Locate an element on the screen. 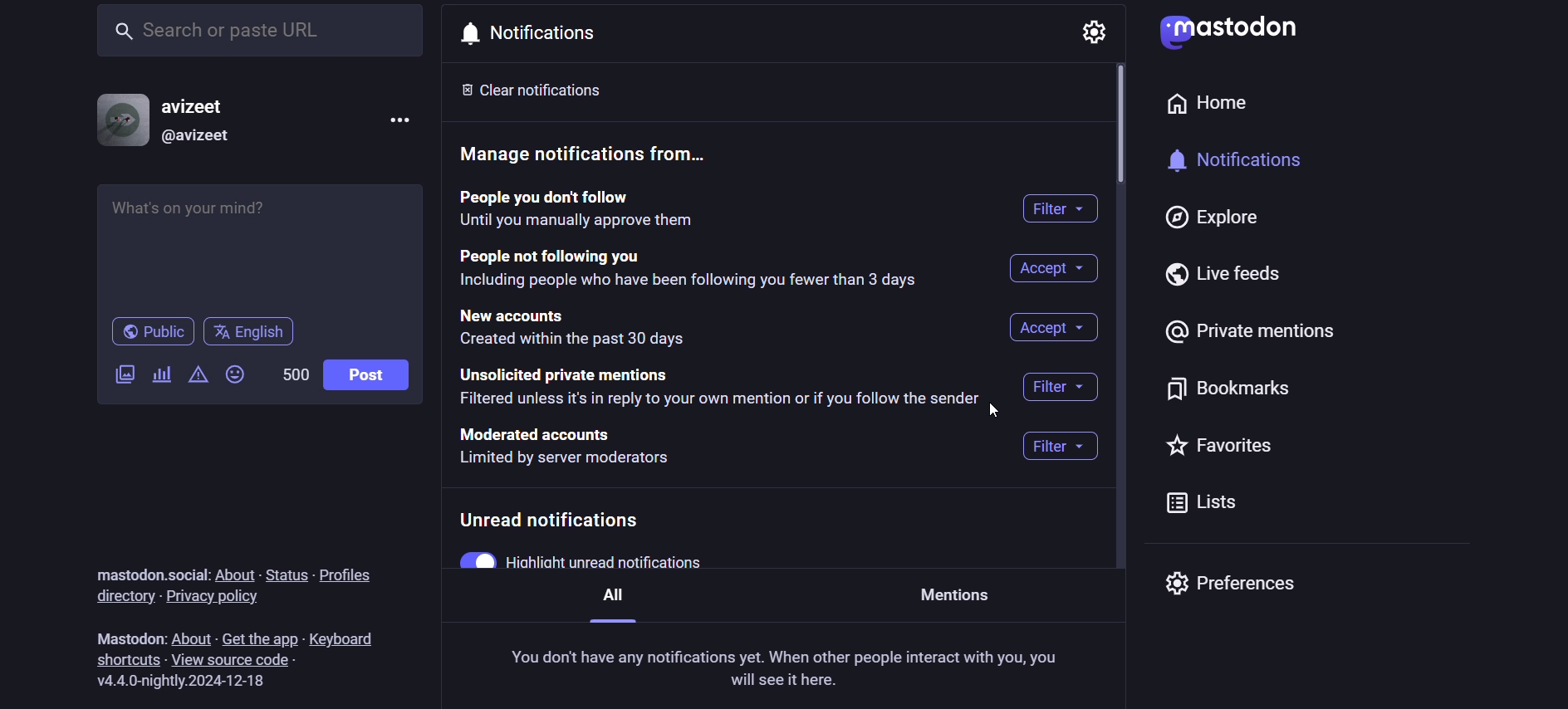 The height and width of the screenshot is (709, 1568). explore is located at coordinates (1230, 222).